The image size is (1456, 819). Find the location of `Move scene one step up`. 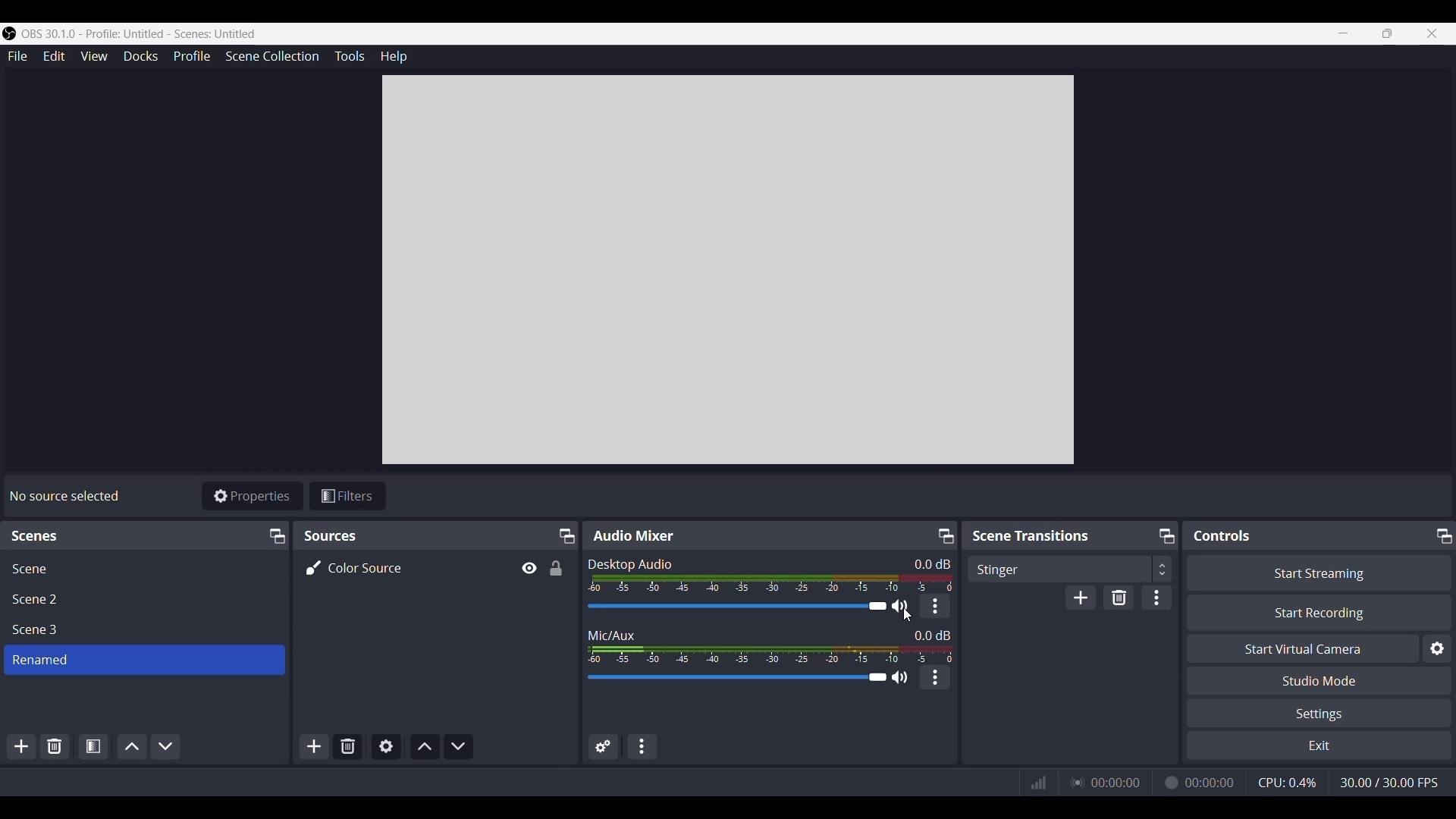

Move scene one step up is located at coordinates (132, 747).